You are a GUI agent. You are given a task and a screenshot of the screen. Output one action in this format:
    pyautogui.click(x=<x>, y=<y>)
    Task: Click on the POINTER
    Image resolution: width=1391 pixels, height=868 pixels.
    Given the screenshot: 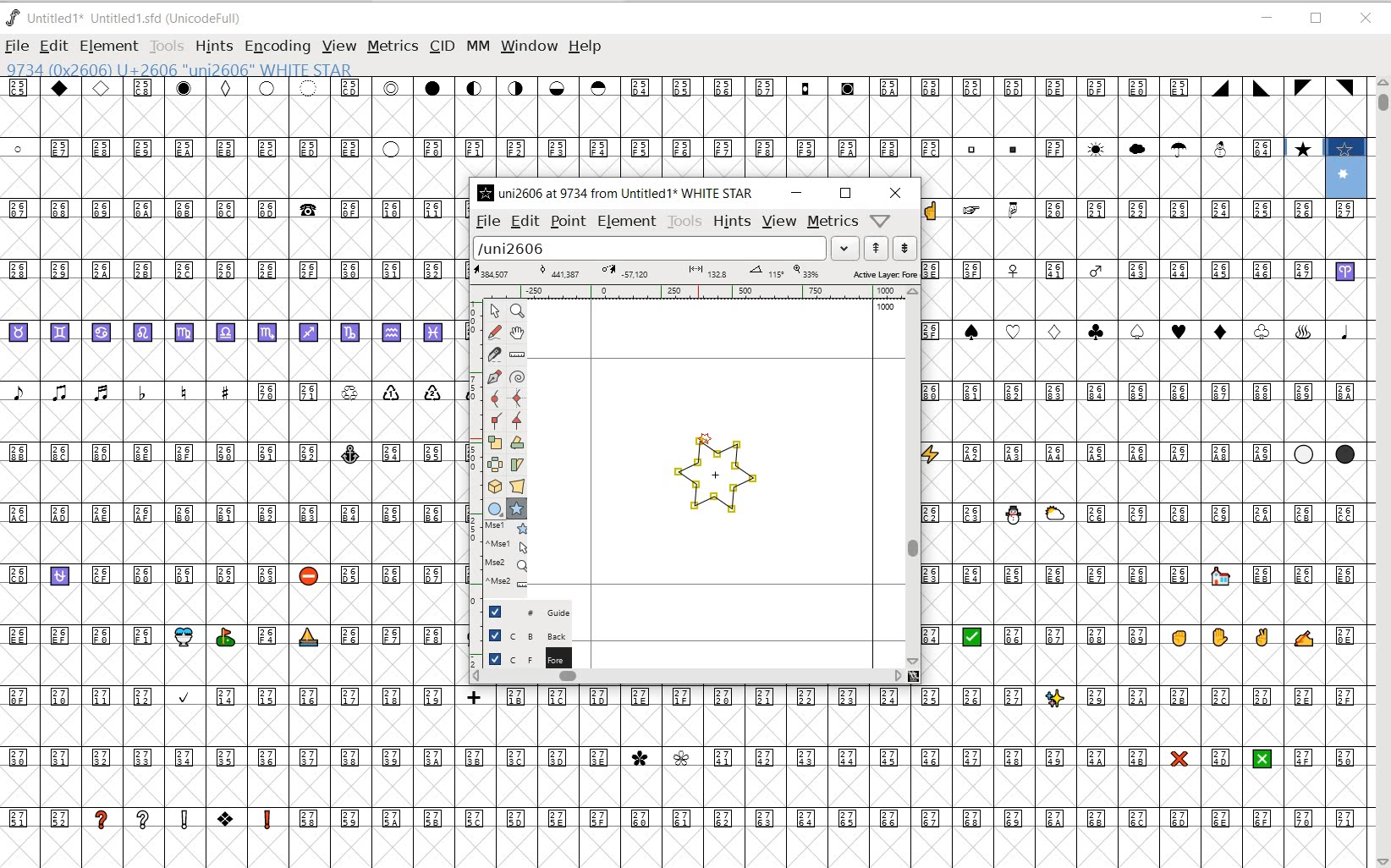 What is the action you would take?
    pyautogui.click(x=493, y=310)
    